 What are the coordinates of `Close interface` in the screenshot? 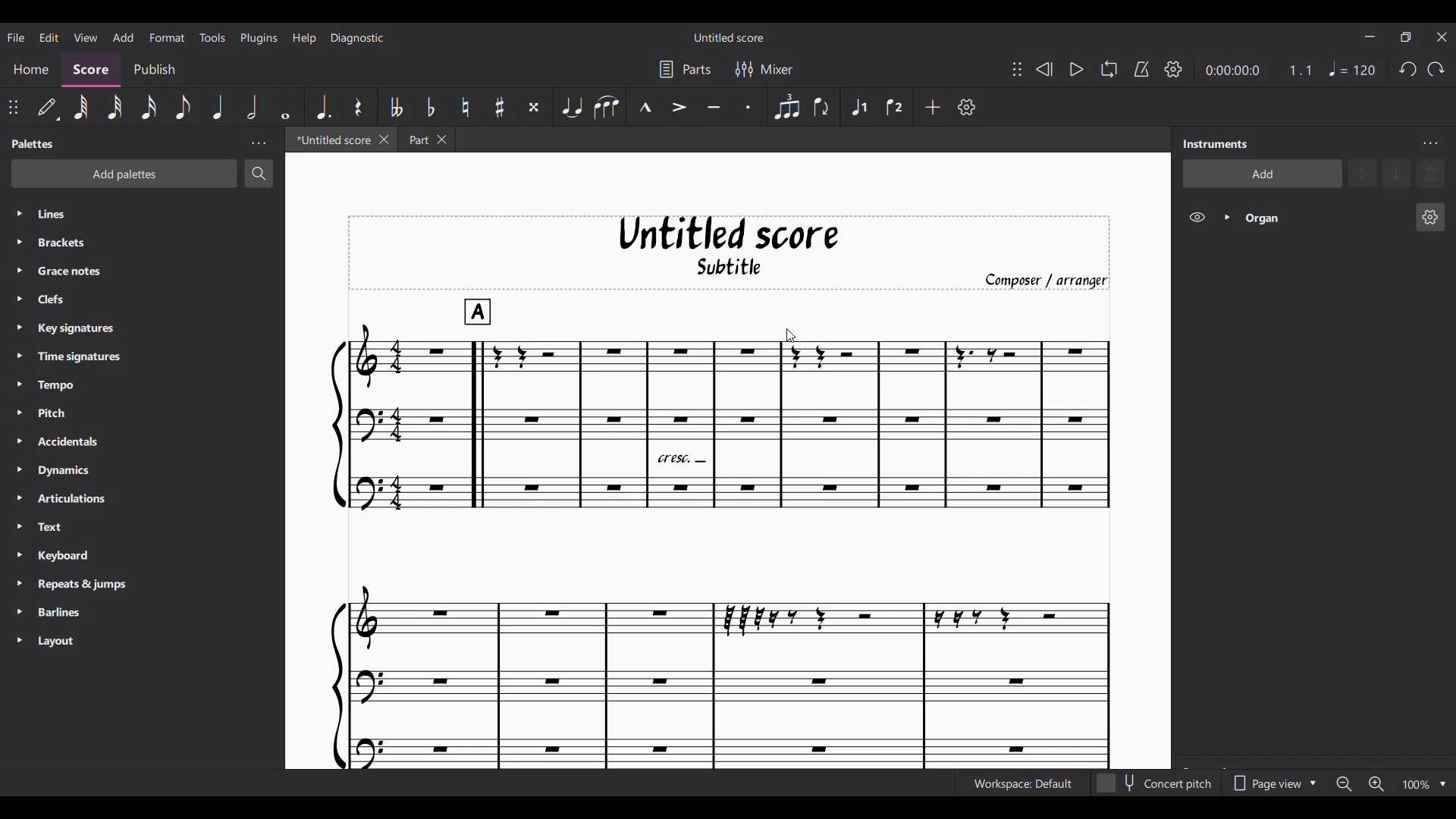 It's located at (1442, 36).